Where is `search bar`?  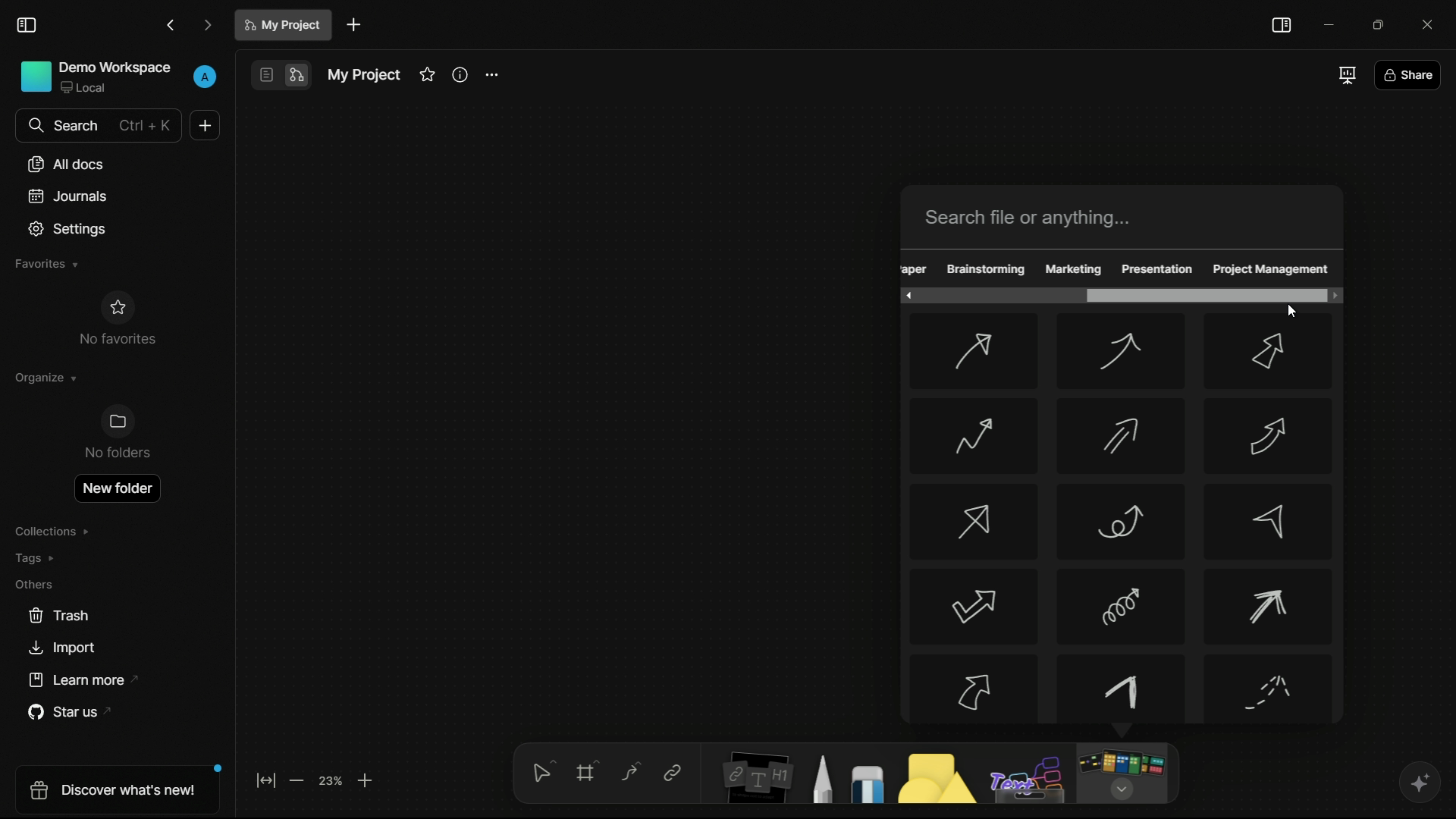
search bar is located at coordinates (97, 125).